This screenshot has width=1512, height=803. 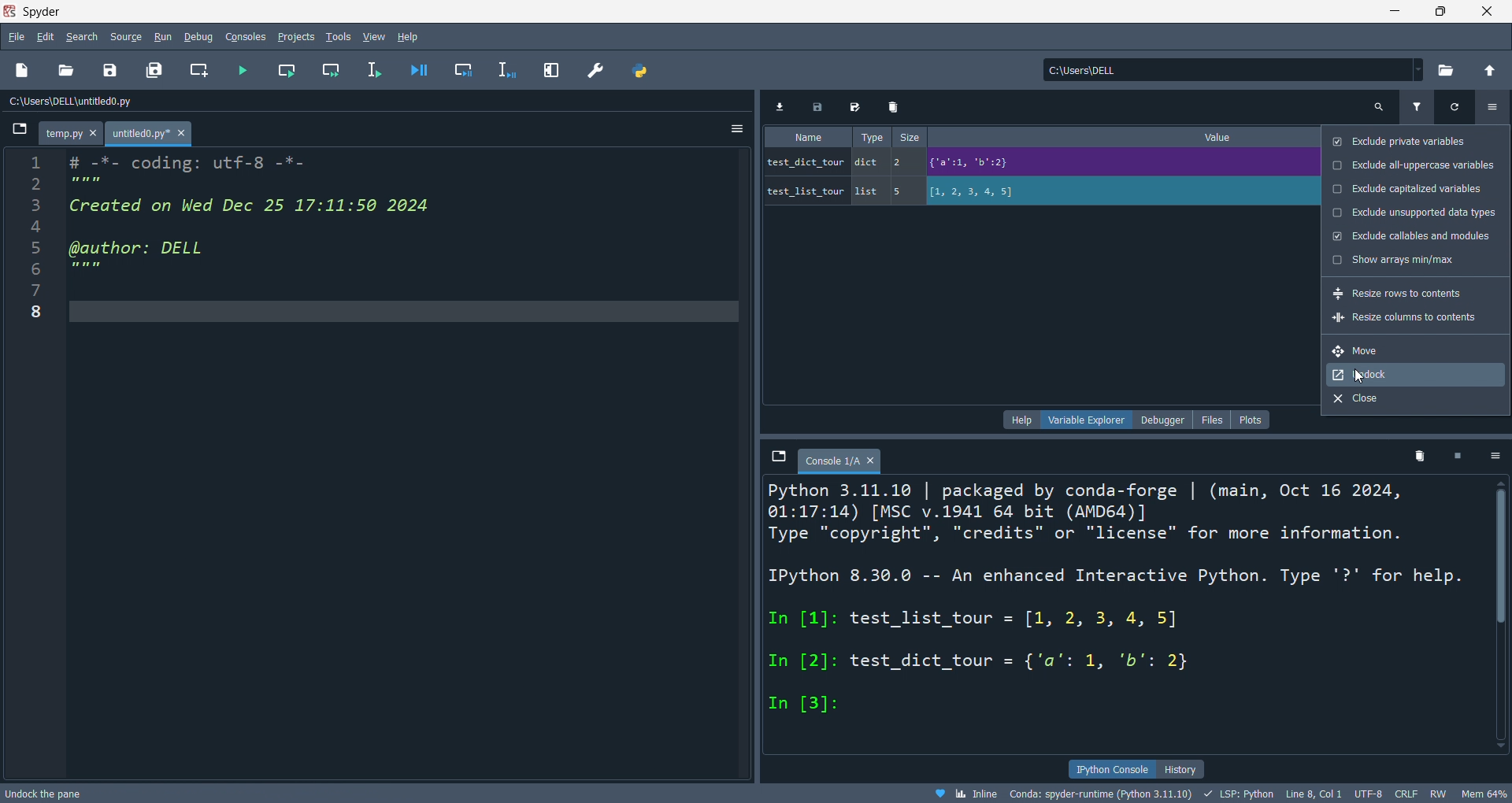 I want to click on console, so click(x=245, y=37).